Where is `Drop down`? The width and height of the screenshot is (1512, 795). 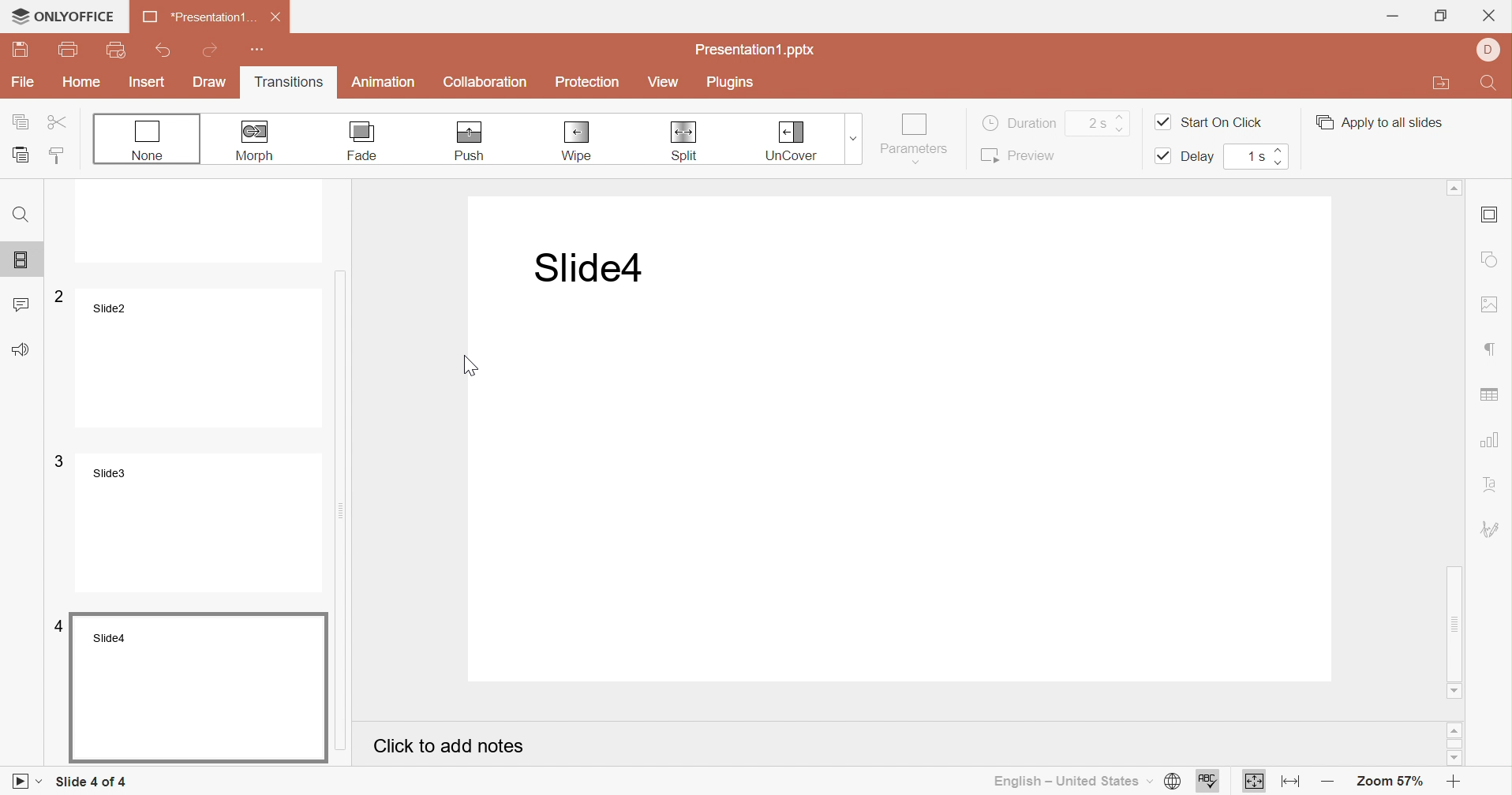
Drop down is located at coordinates (851, 136).